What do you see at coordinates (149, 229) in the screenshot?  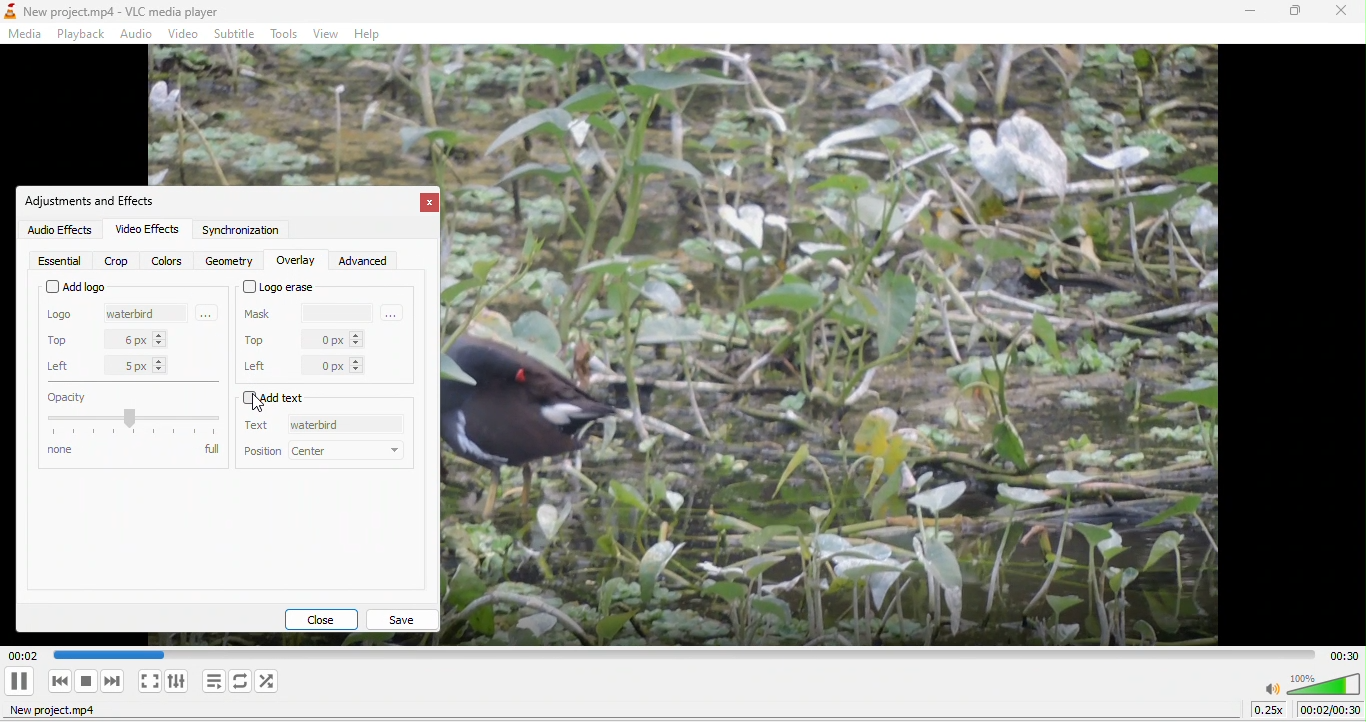 I see `video effects` at bounding box center [149, 229].